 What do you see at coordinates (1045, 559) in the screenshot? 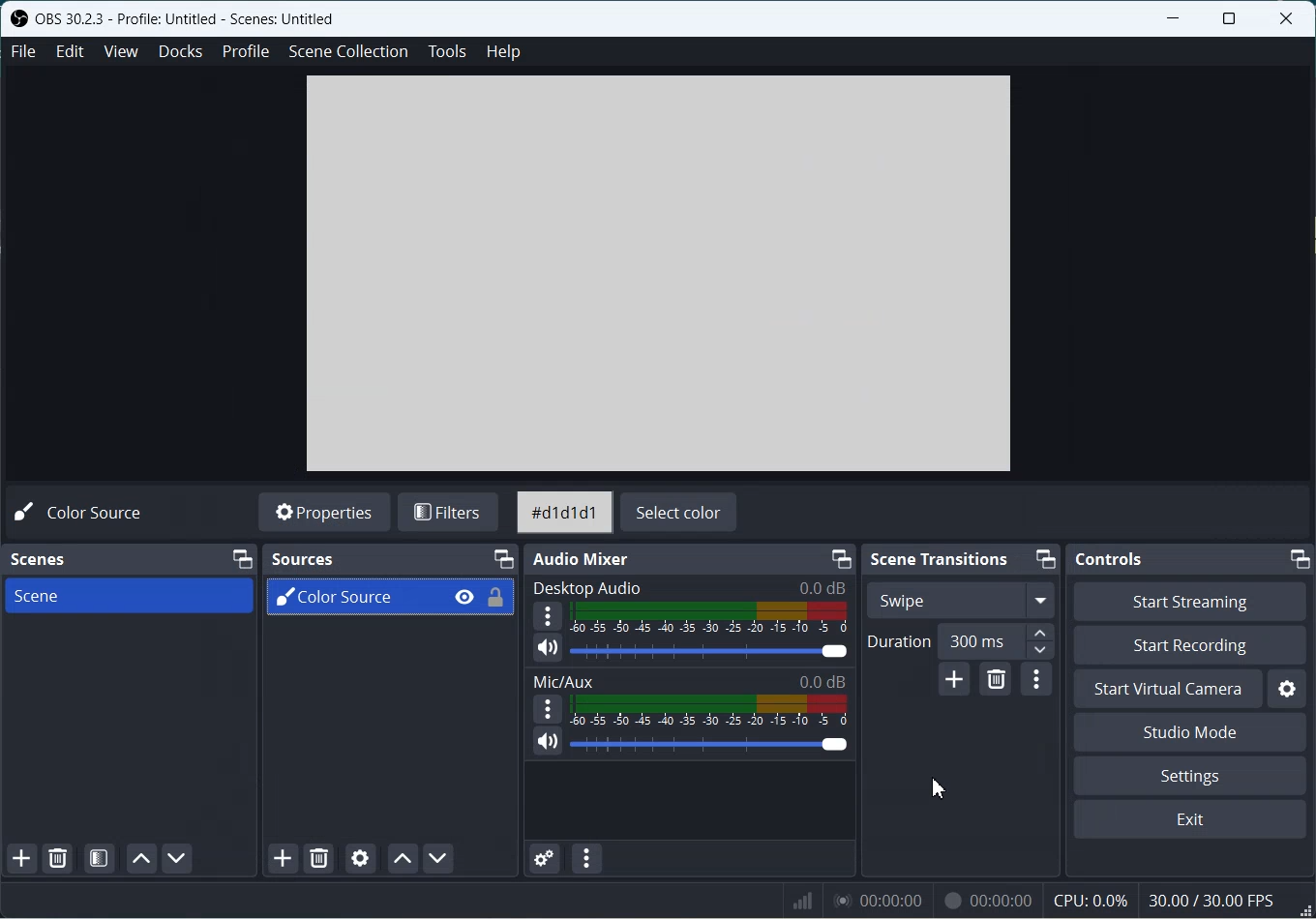
I see `Minimize` at bounding box center [1045, 559].